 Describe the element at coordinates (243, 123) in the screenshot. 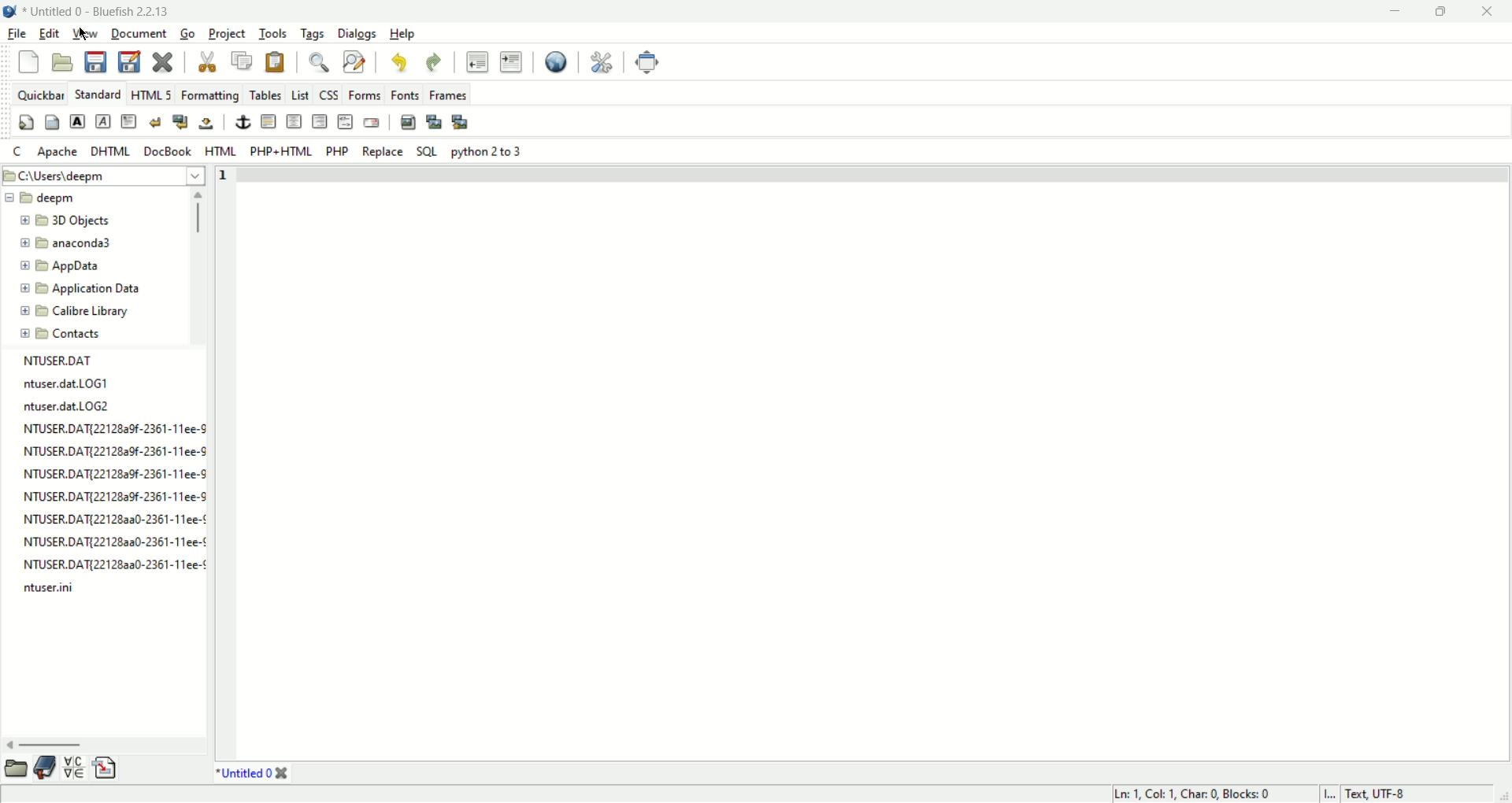

I see `anchor` at that location.